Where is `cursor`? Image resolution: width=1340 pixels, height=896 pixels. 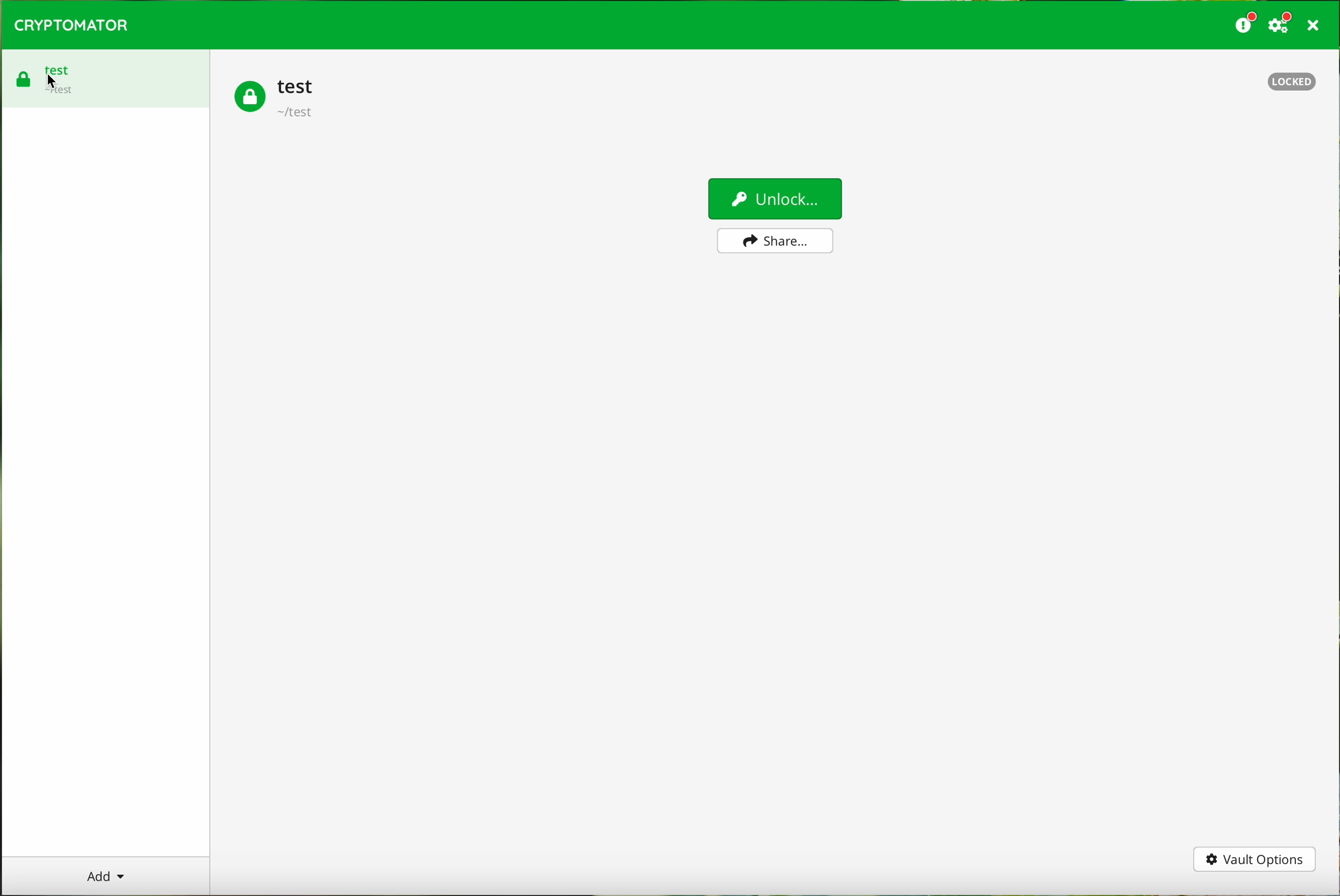
cursor is located at coordinates (53, 78).